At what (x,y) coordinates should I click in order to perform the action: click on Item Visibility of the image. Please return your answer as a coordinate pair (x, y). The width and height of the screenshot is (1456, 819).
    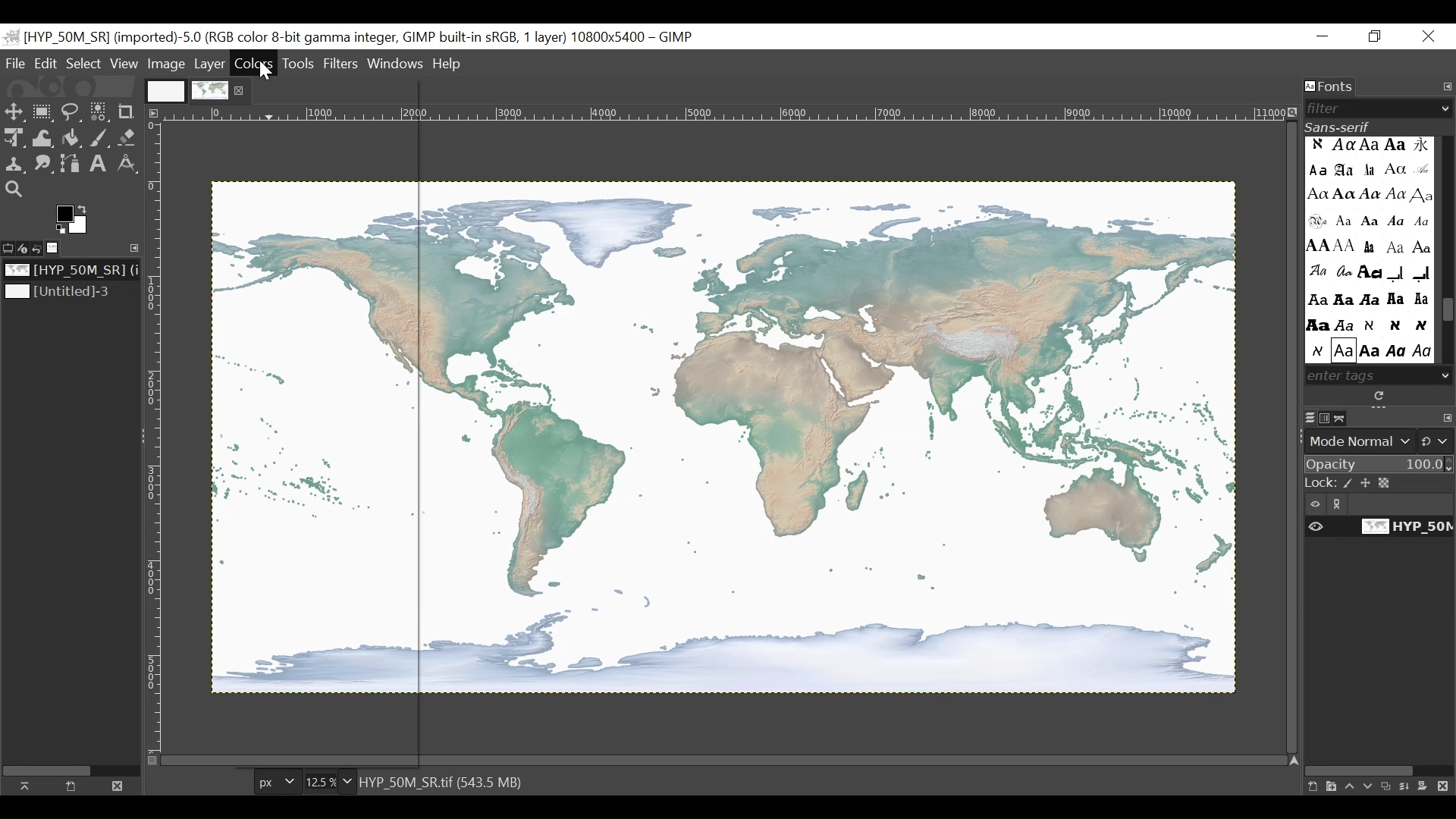
    Looking at the image, I should click on (1376, 527).